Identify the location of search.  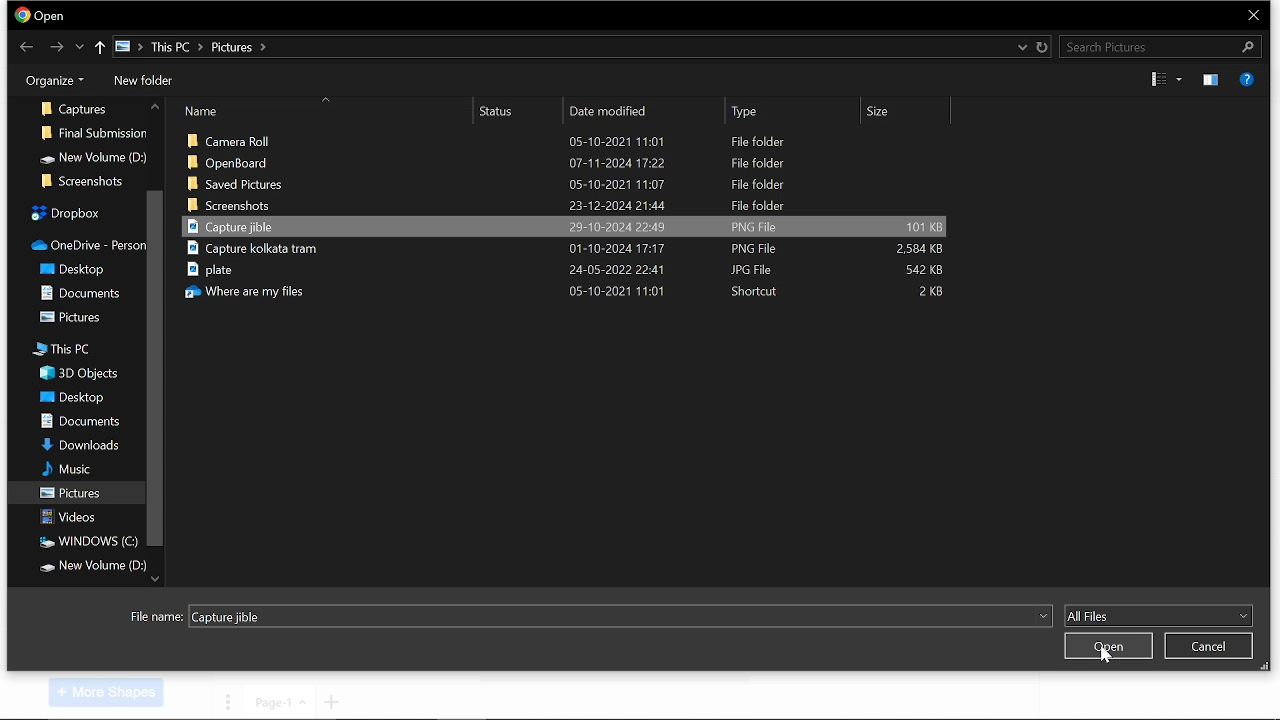
(1158, 46).